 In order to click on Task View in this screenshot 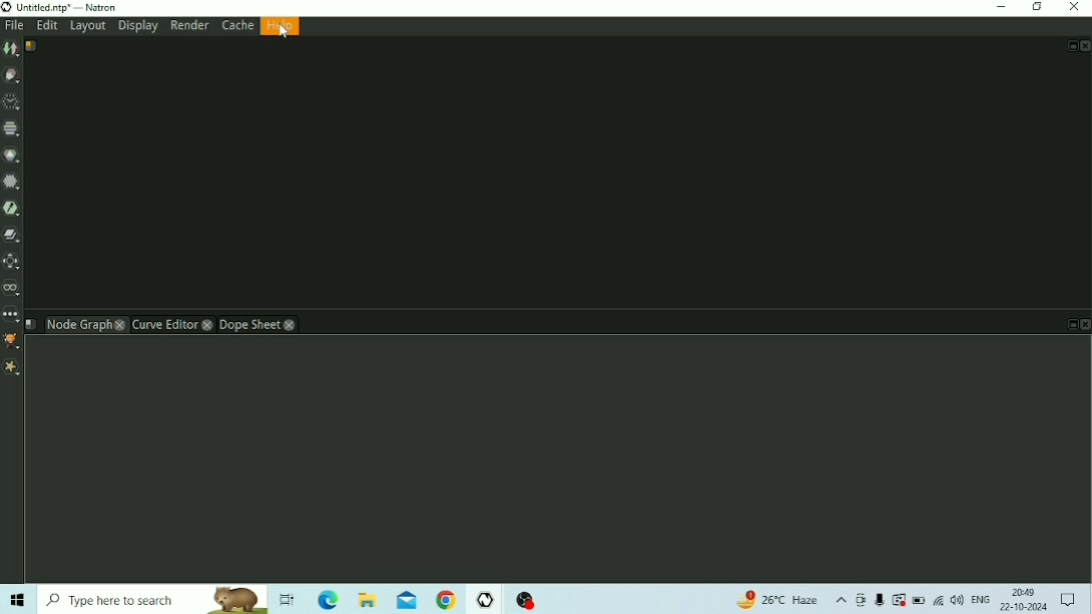, I will do `click(289, 600)`.